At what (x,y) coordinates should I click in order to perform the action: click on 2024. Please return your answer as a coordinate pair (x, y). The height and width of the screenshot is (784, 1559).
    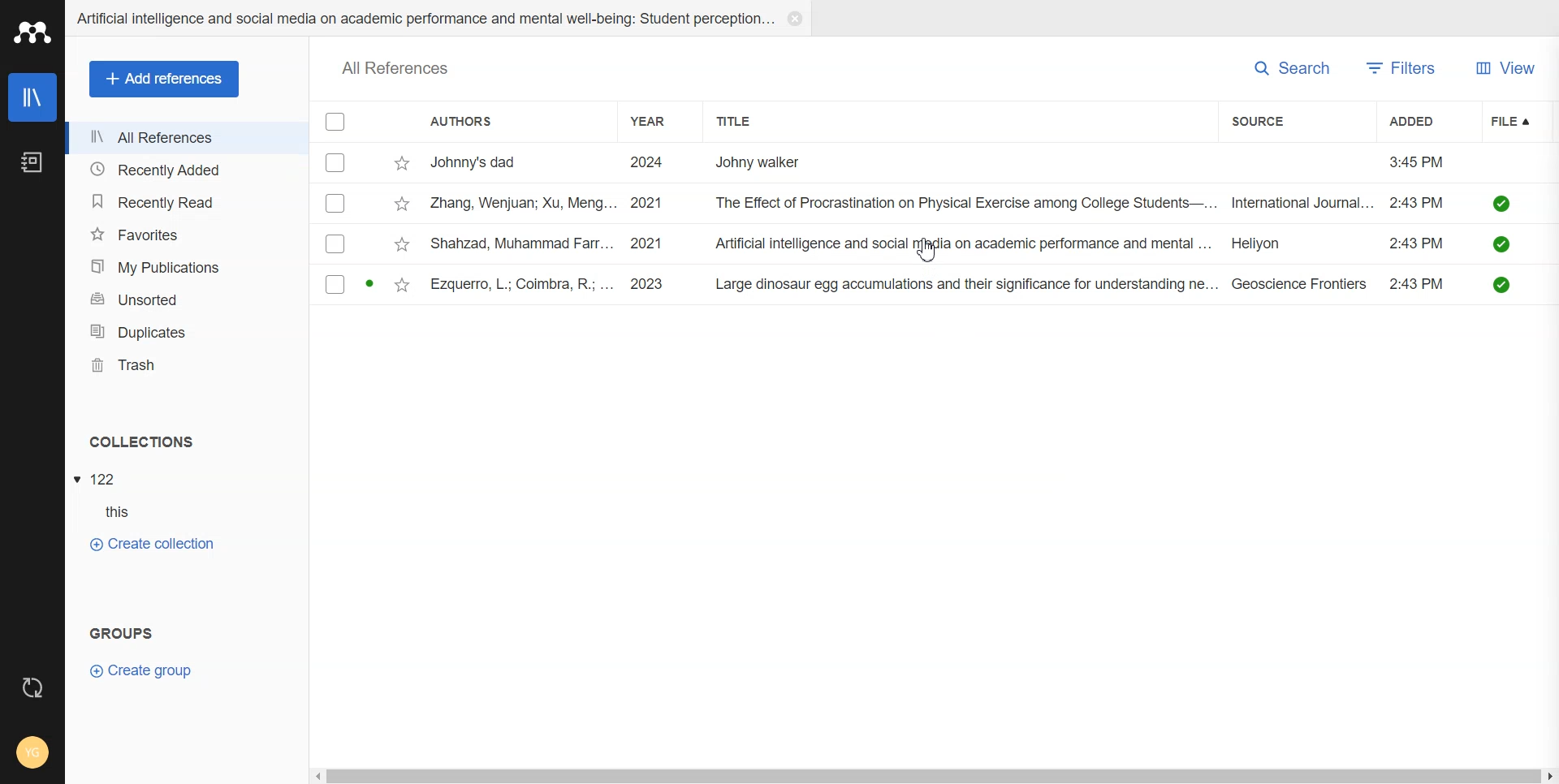
    Looking at the image, I should click on (648, 163).